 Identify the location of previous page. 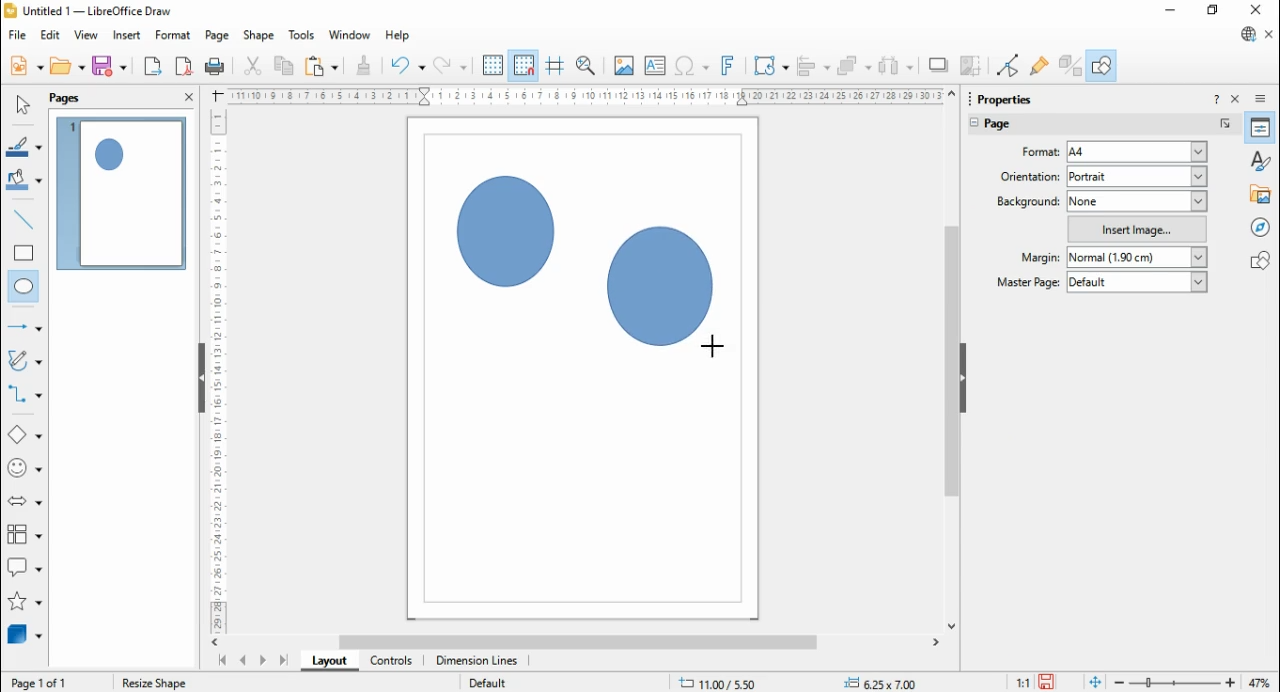
(244, 661).